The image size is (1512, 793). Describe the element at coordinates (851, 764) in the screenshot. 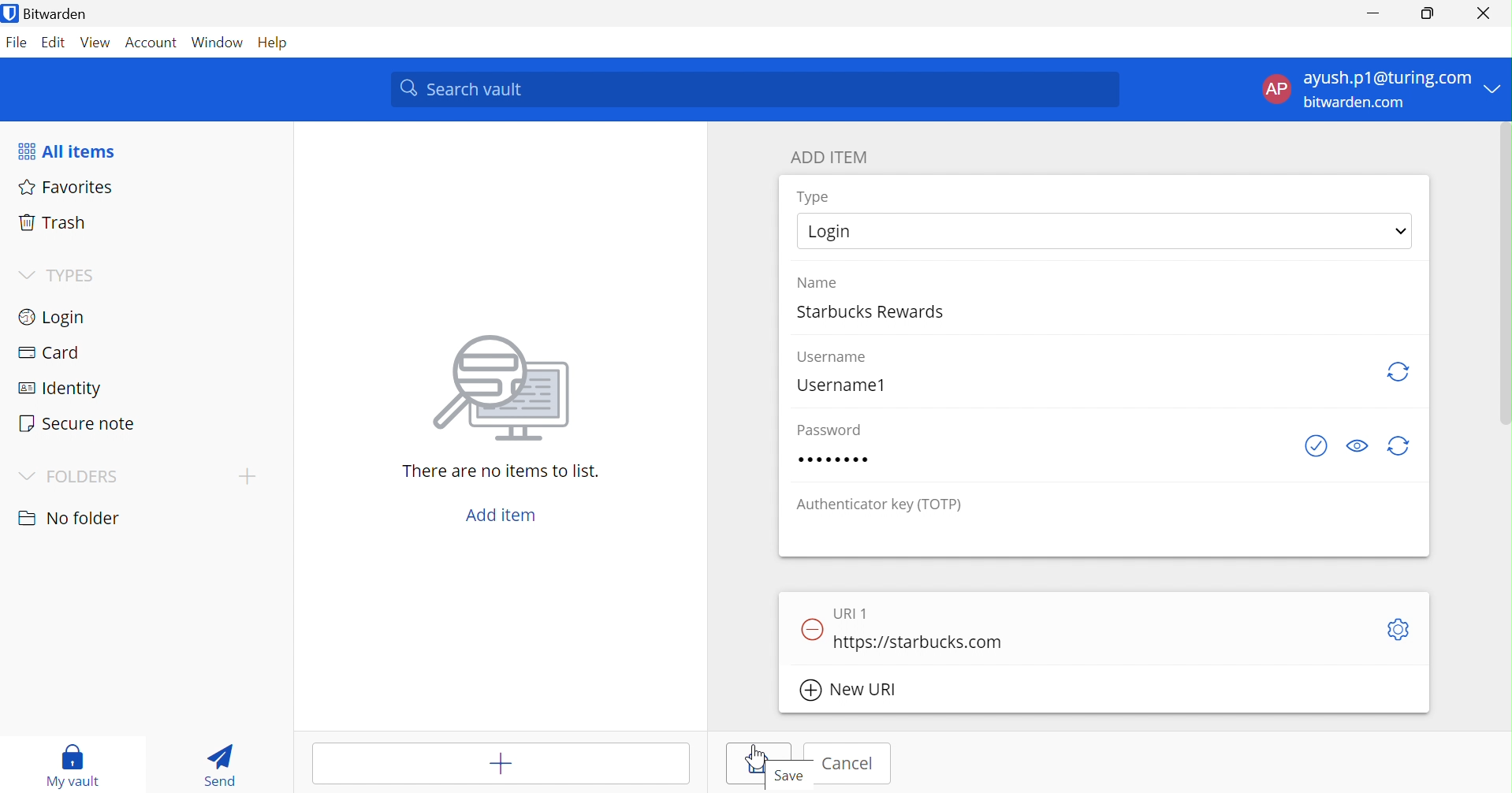

I see `Cancel` at that location.